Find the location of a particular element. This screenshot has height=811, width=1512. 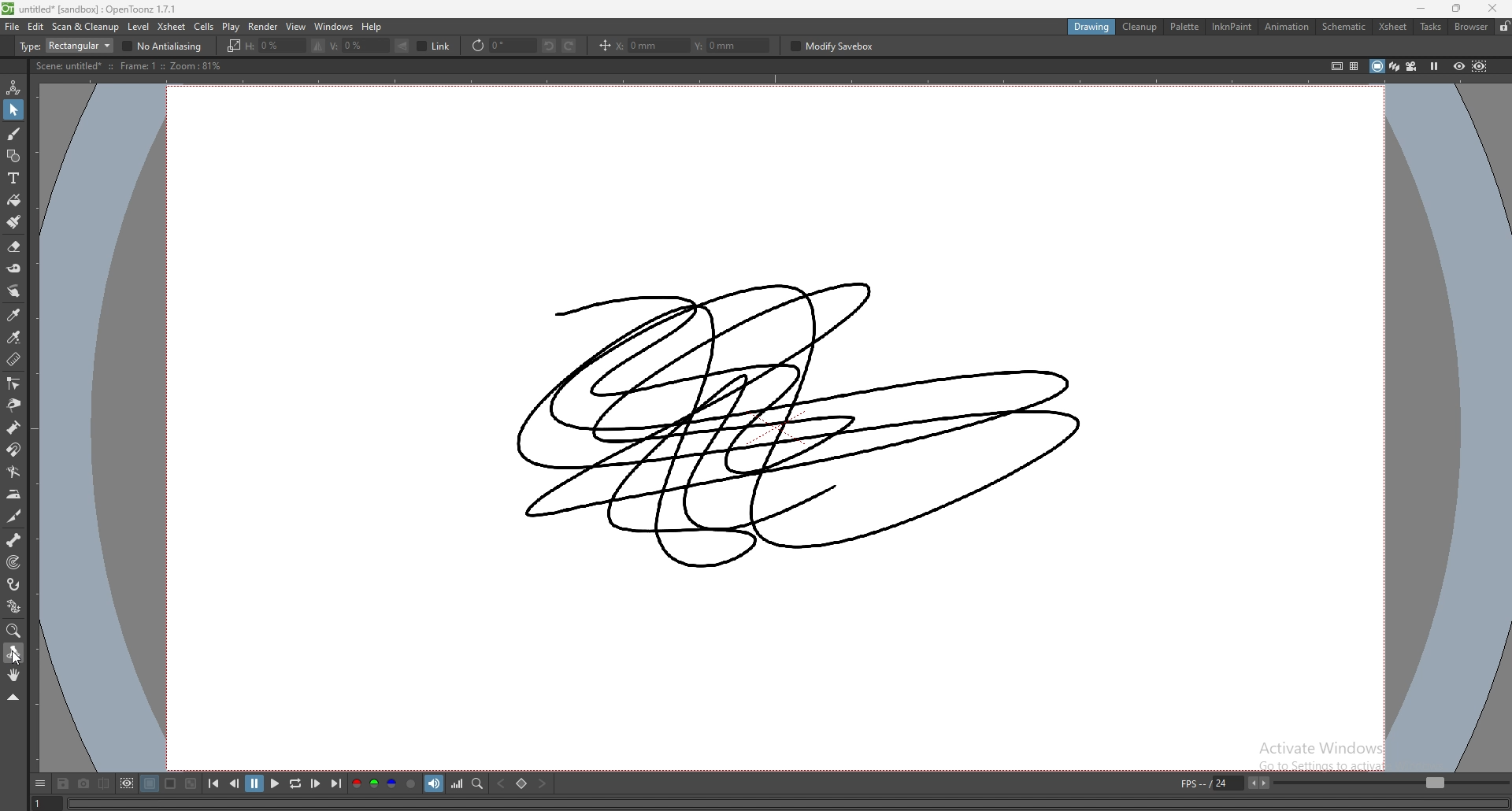

blue channel is located at coordinates (391, 783).